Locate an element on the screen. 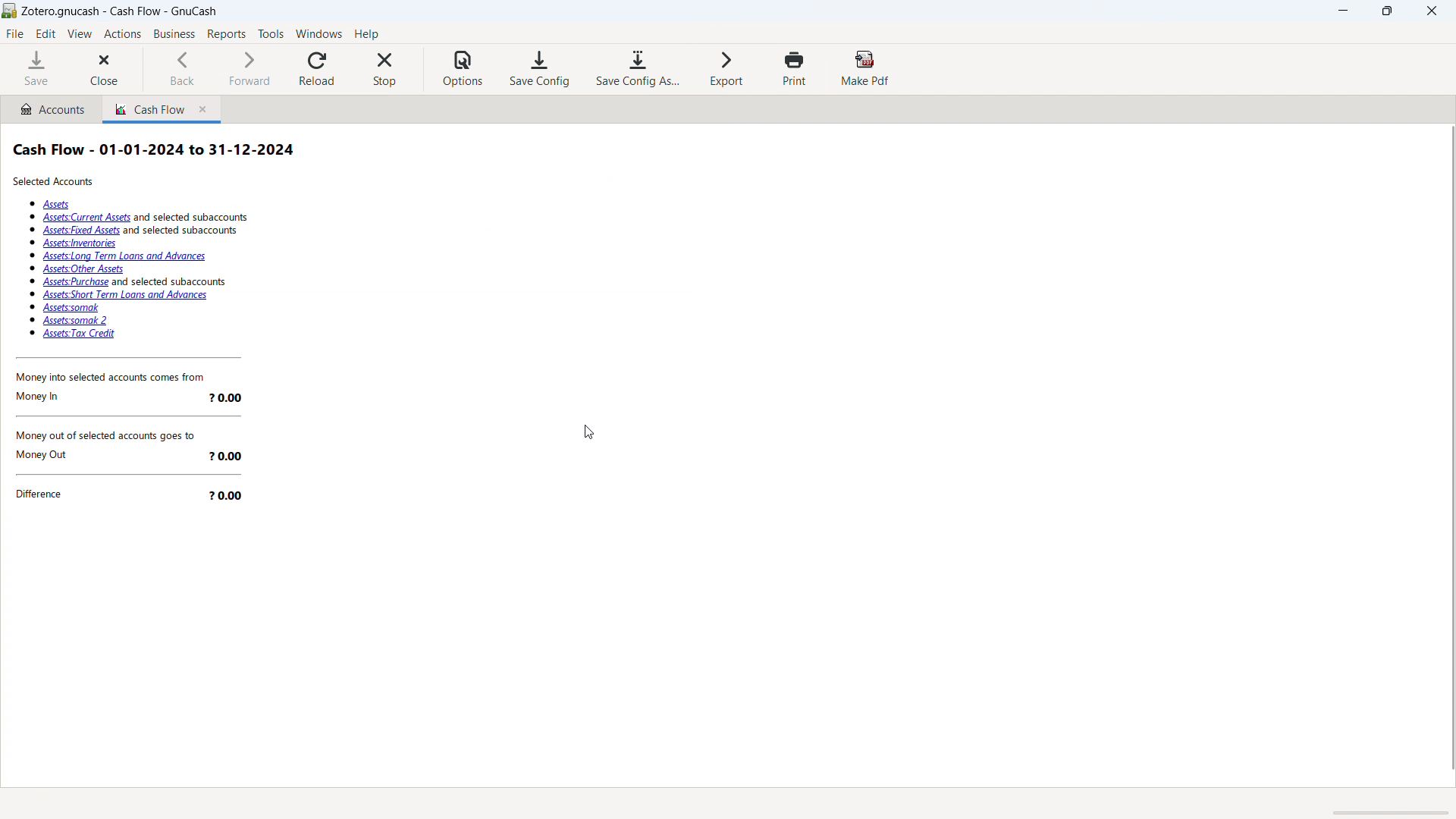  maximize is located at coordinates (1386, 11).